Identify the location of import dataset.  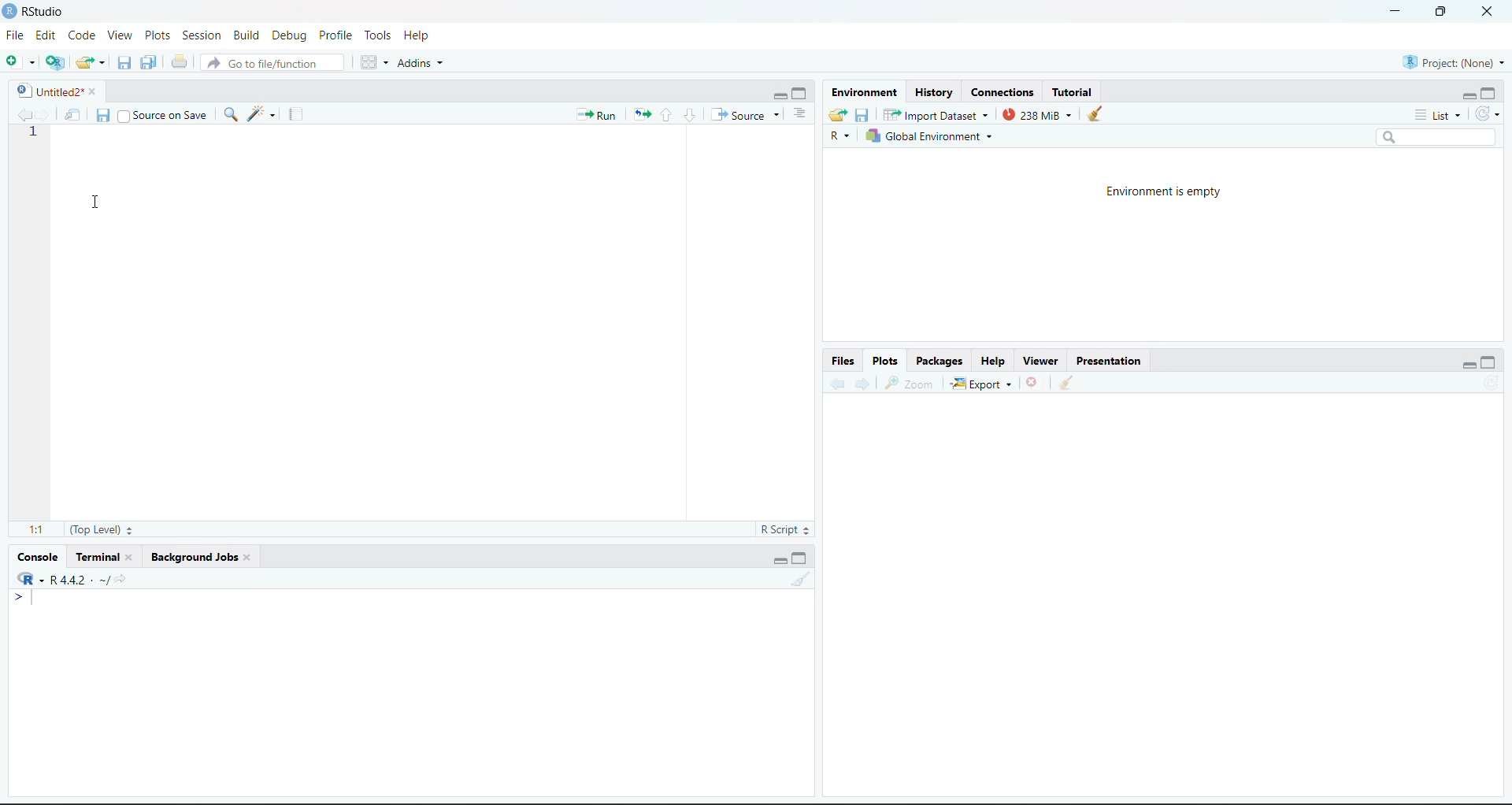
(934, 115).